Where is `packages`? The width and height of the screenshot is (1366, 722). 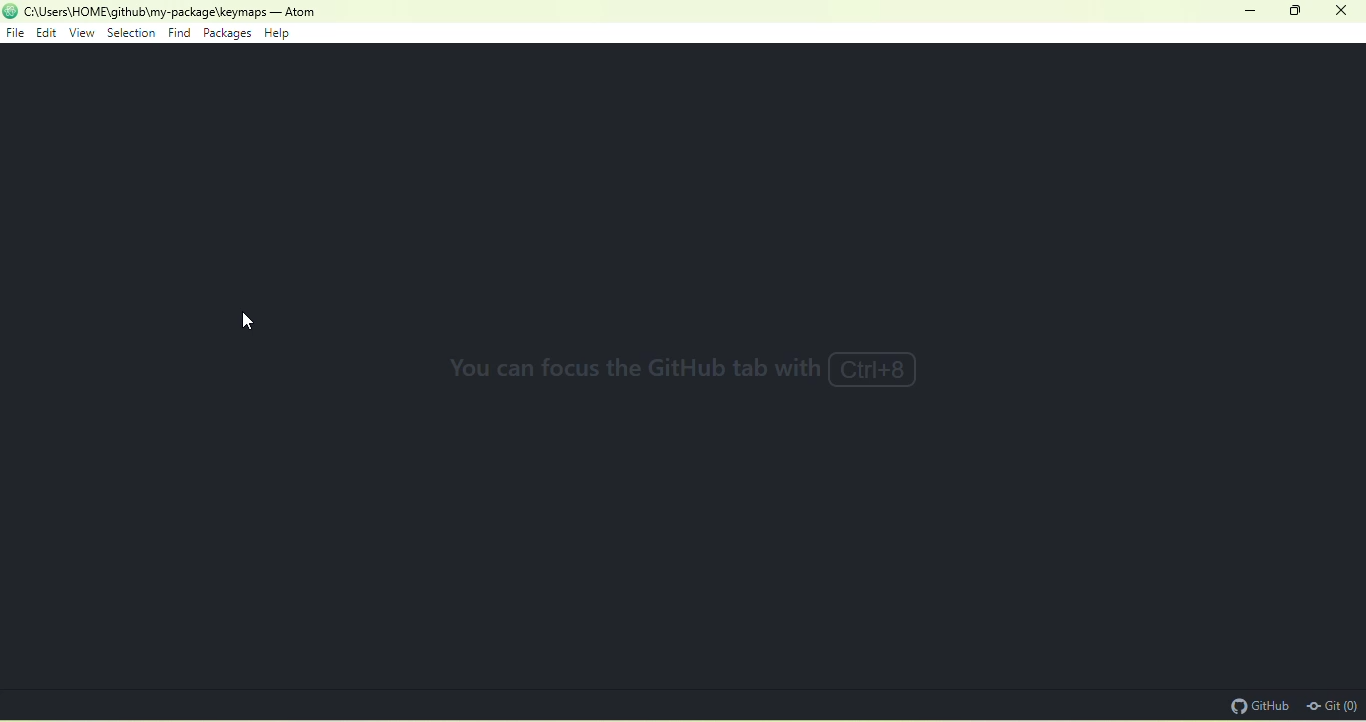 packages is located at coordinates (226, 34).